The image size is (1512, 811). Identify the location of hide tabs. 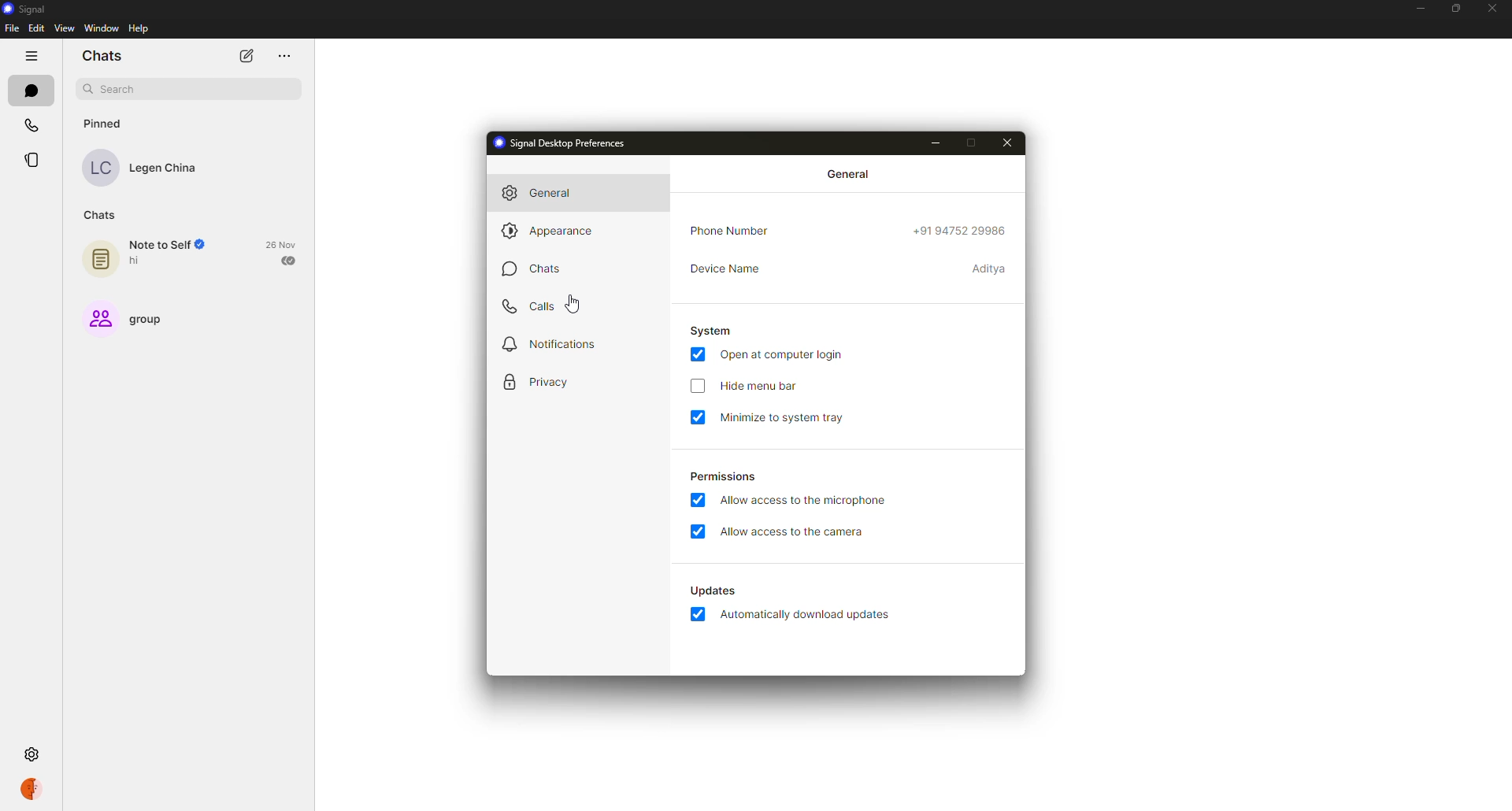
(30, 54).